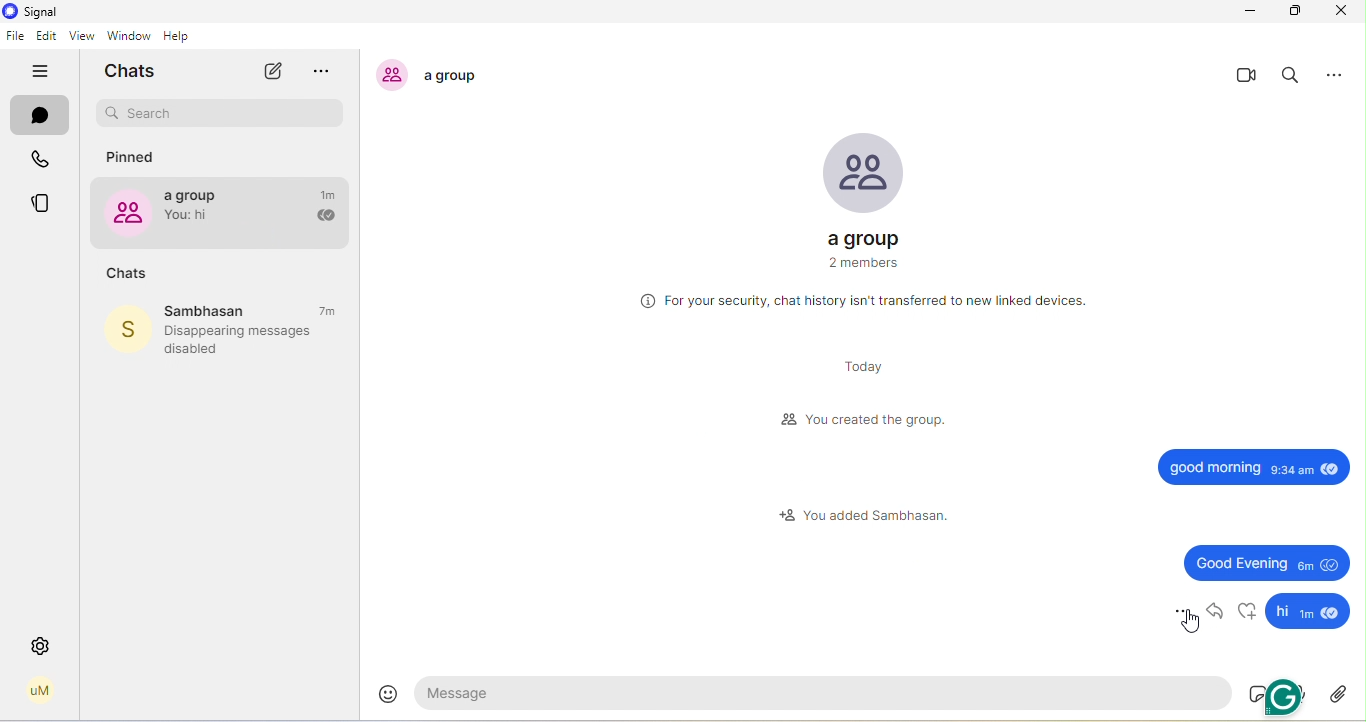 The width and height of the screenshot is (1366, 722). What do you see at coordinates (1180, 608) in the screenshot?
I see `options` at bounding box center [1180, 608].